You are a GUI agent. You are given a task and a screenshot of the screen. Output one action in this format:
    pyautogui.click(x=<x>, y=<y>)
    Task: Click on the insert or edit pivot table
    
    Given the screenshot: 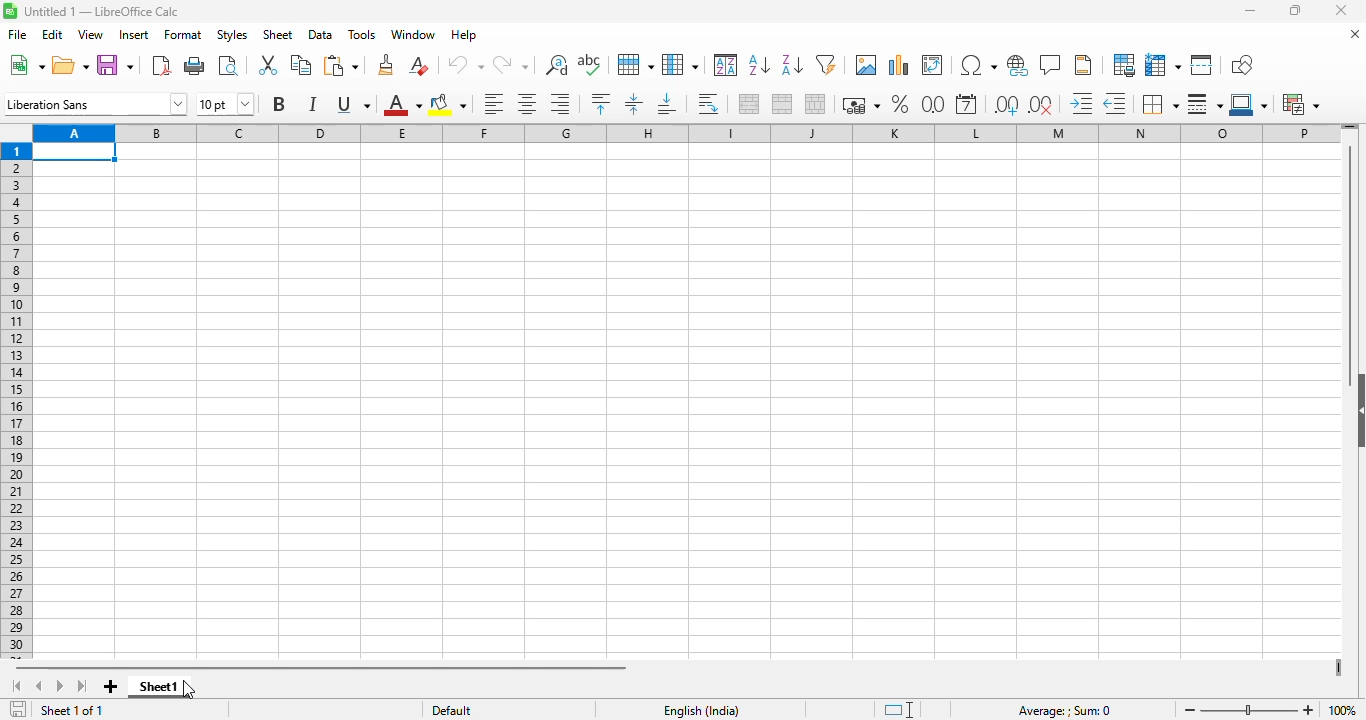 What is the action you would take?
    pyautogui.click(x=934, y=65)
    